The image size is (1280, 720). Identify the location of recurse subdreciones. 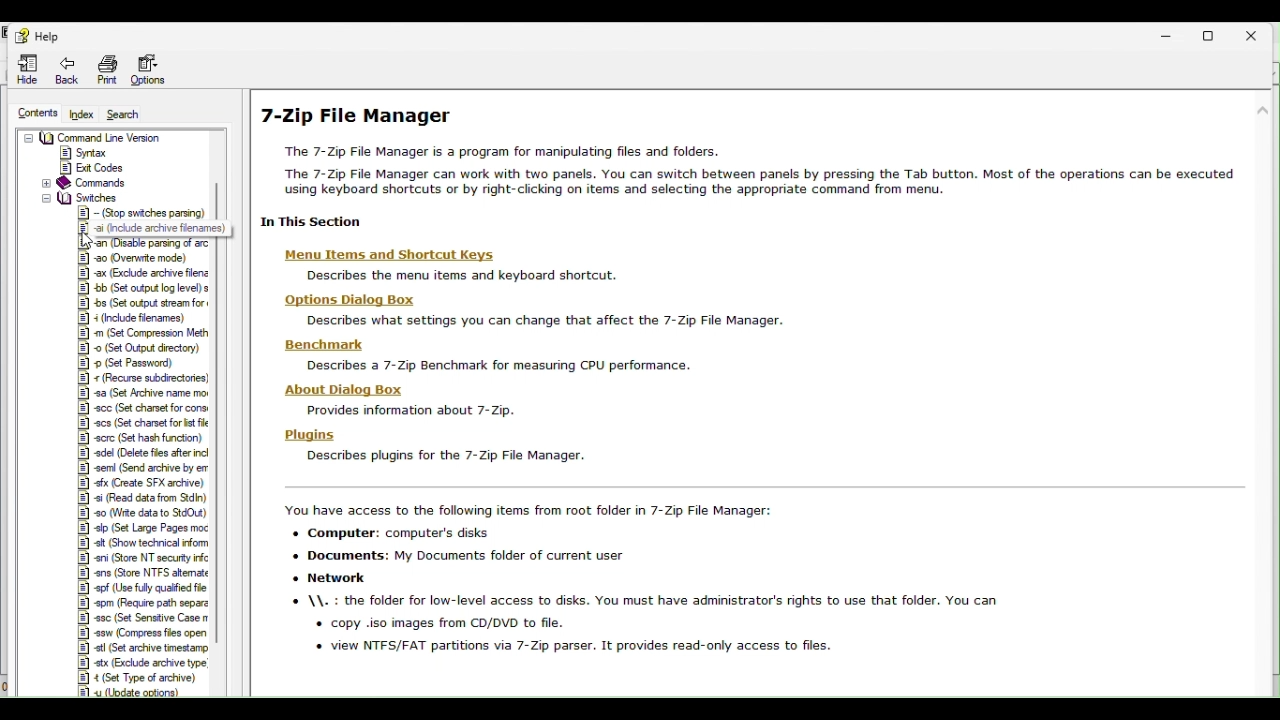
(144, 377).